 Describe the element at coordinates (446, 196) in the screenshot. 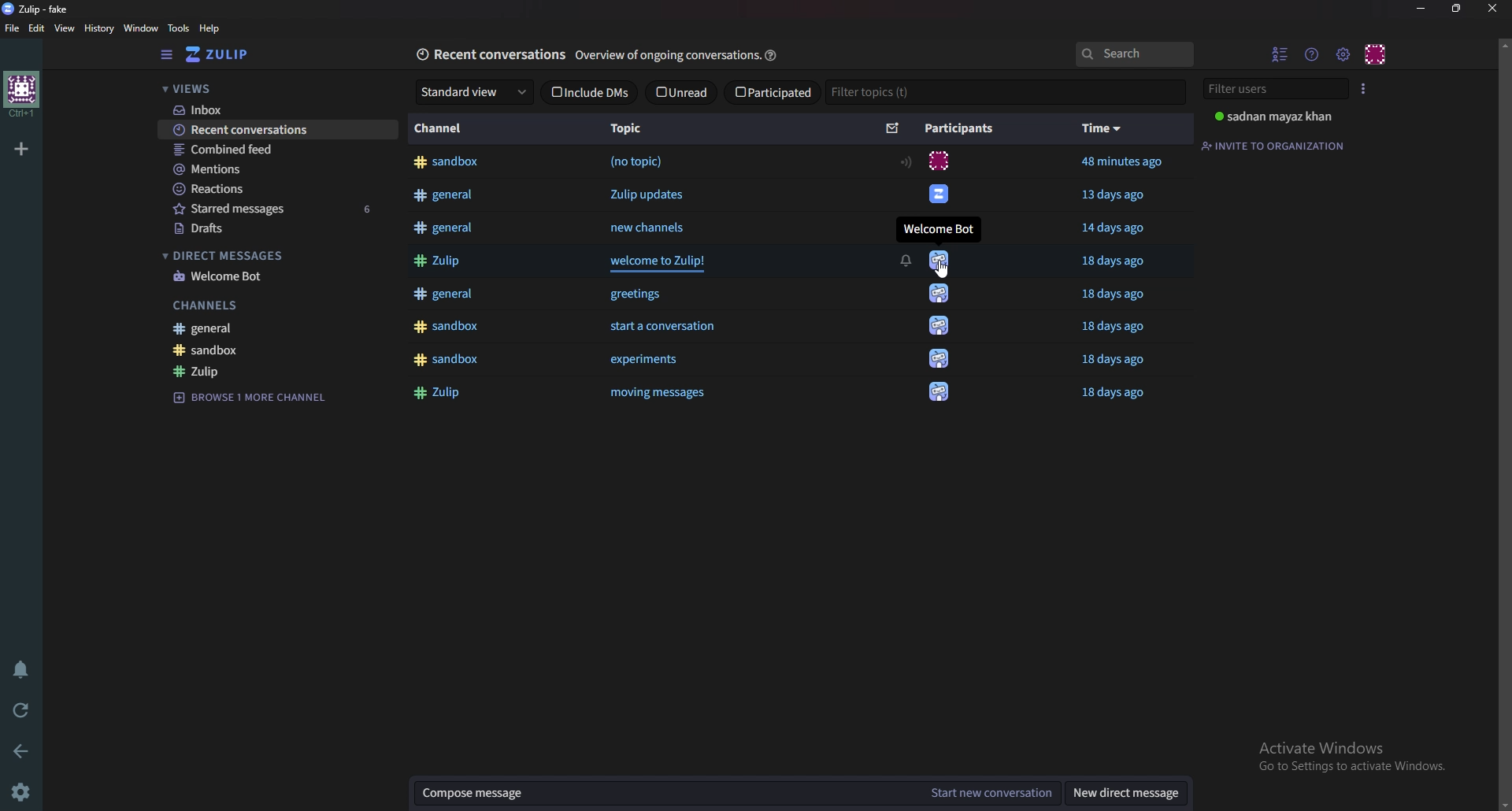

I see `#general` at that location.